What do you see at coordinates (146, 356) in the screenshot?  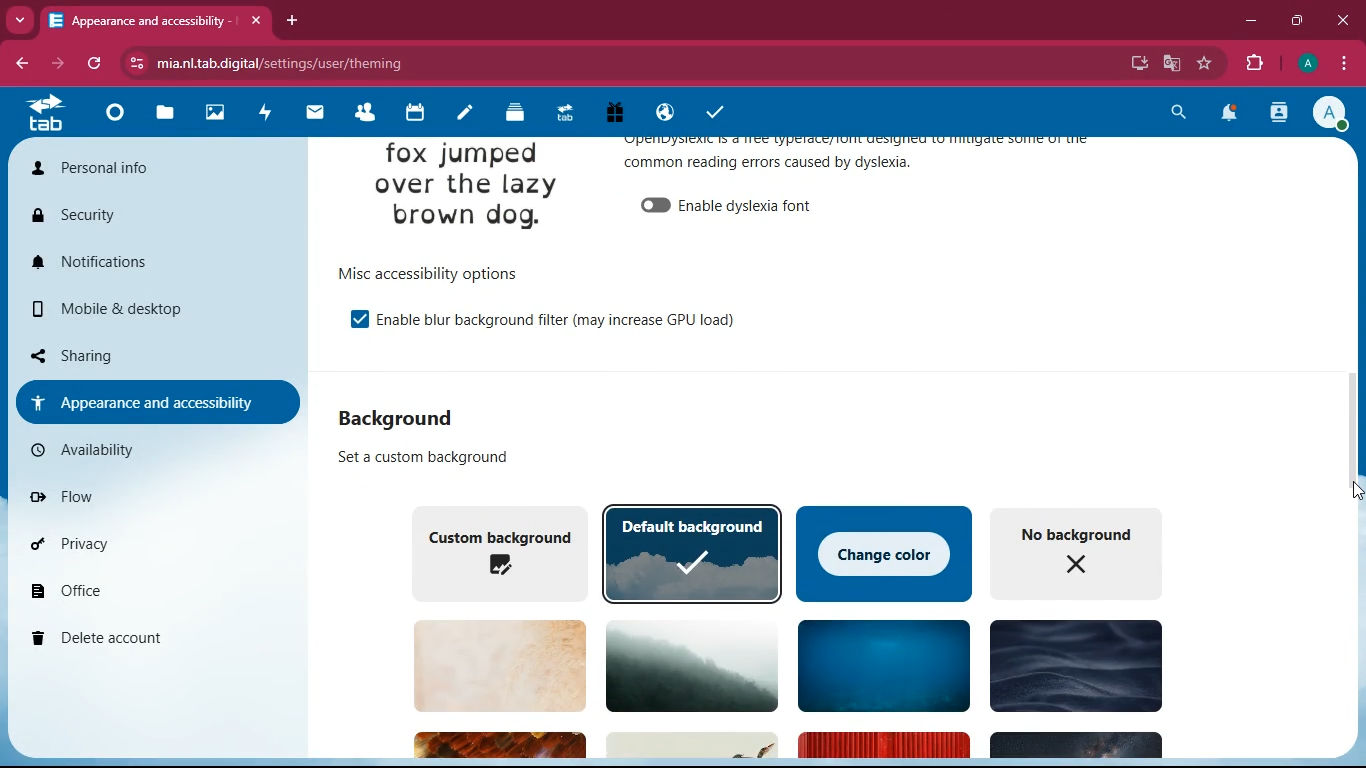 I see `sharing` at bounding box center [146, 356].